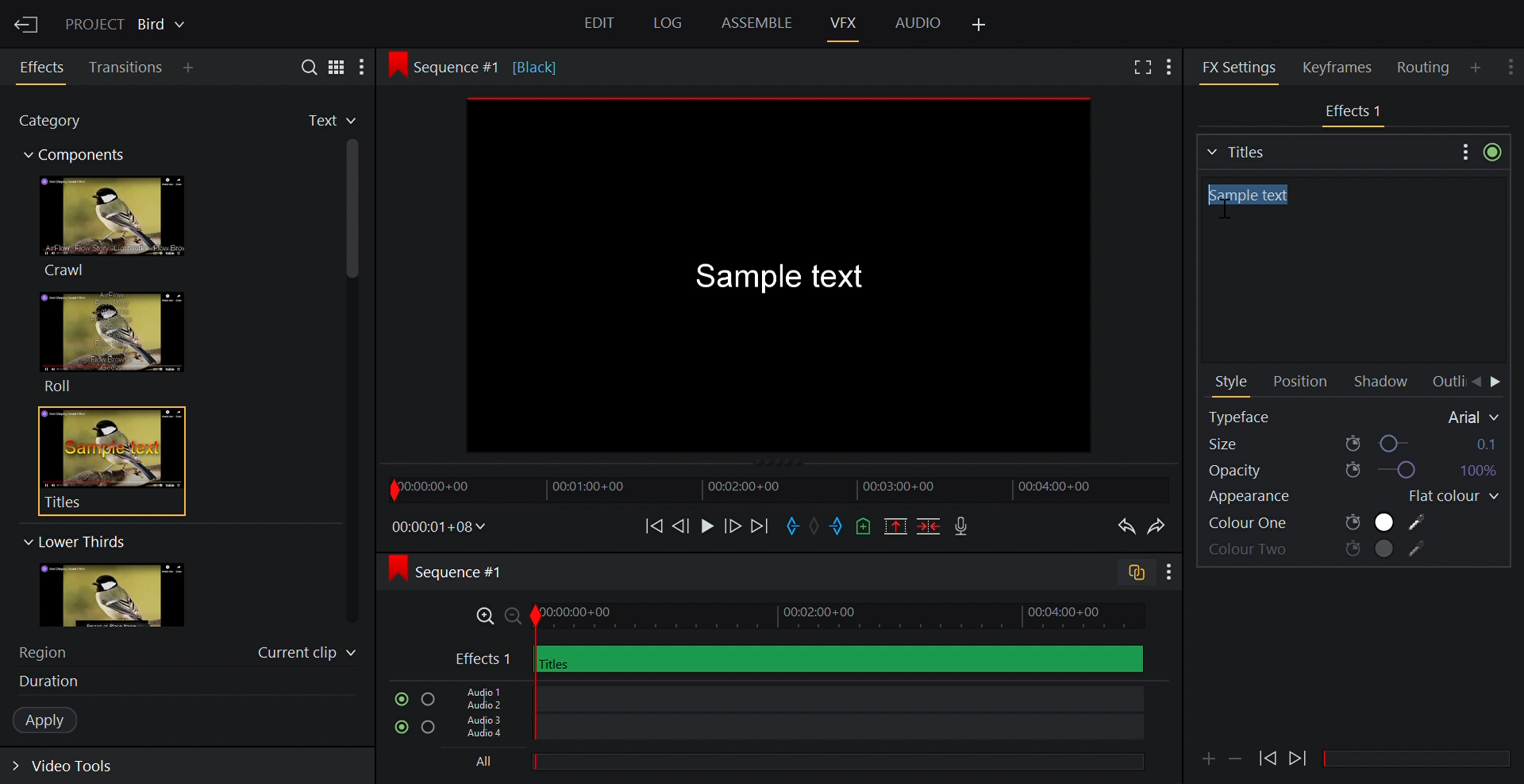 The image size is (1524, 784). I want to click on Nudge one frame backwards, so click(682, 525).